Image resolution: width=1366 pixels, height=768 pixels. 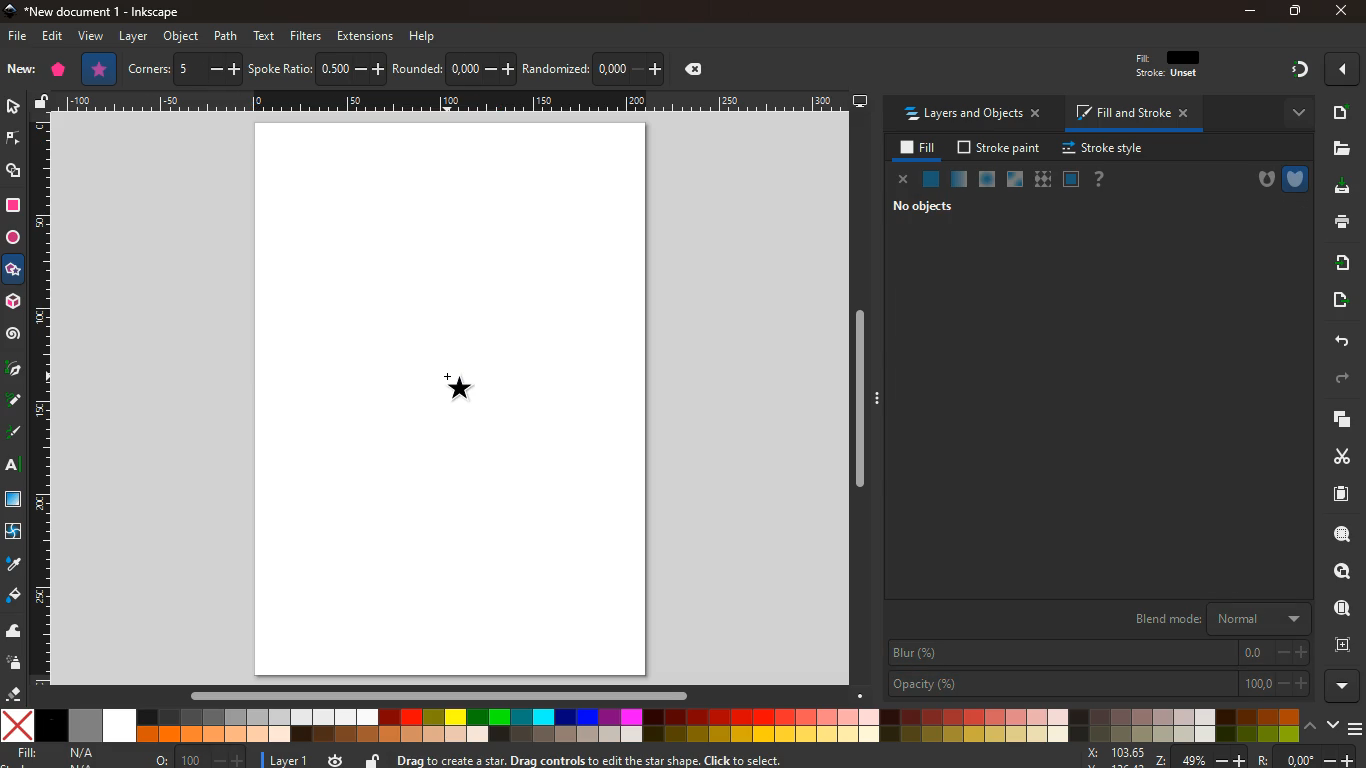 I want to click on color, so click(x=650, y=726).